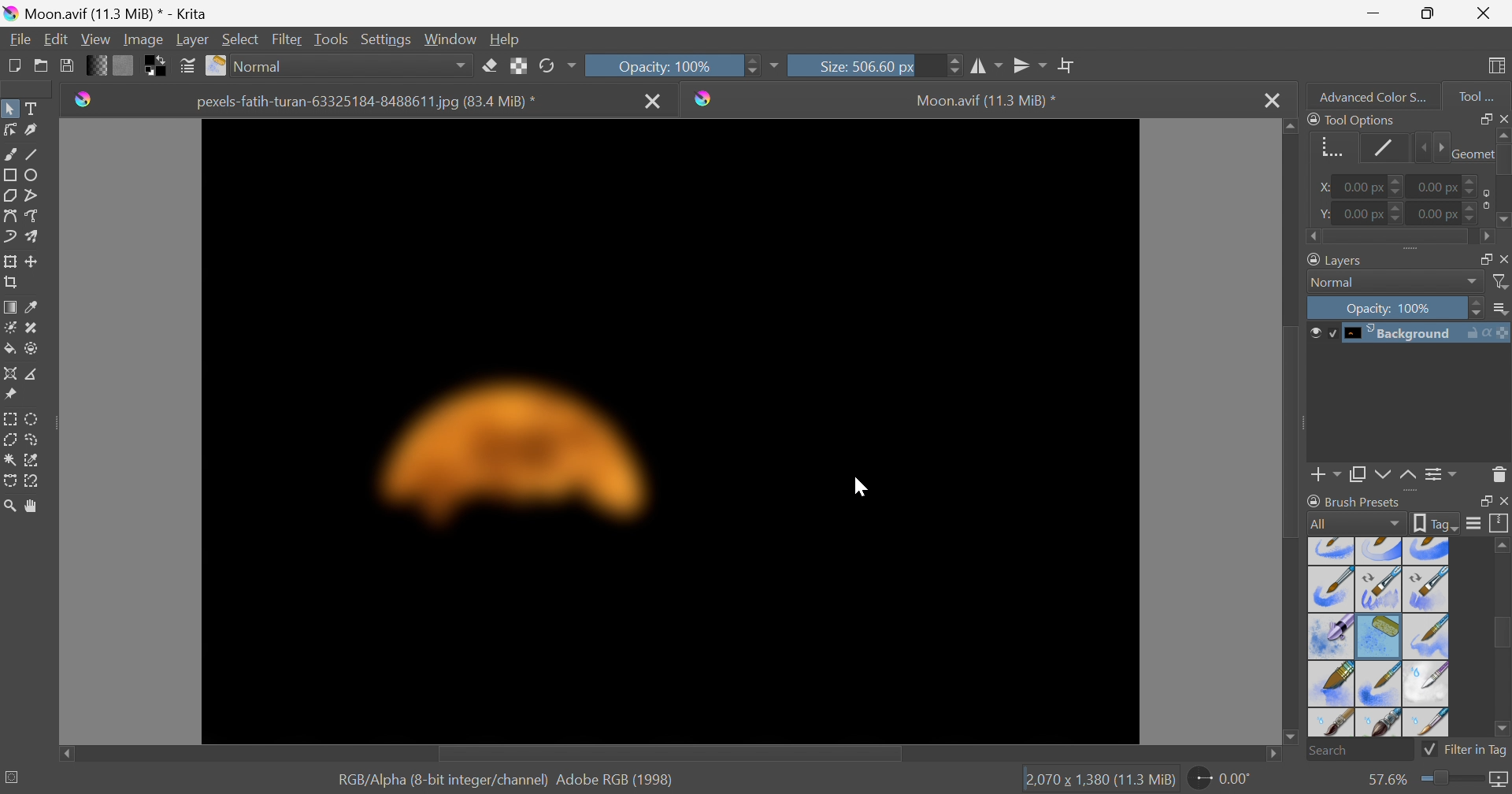 The height and width of the screenshot is (794, 1512). What do you see at coordinates (986, 66) in the screenshot?
I see `Horizontal mirror tool` at bounding box center [986, 66].